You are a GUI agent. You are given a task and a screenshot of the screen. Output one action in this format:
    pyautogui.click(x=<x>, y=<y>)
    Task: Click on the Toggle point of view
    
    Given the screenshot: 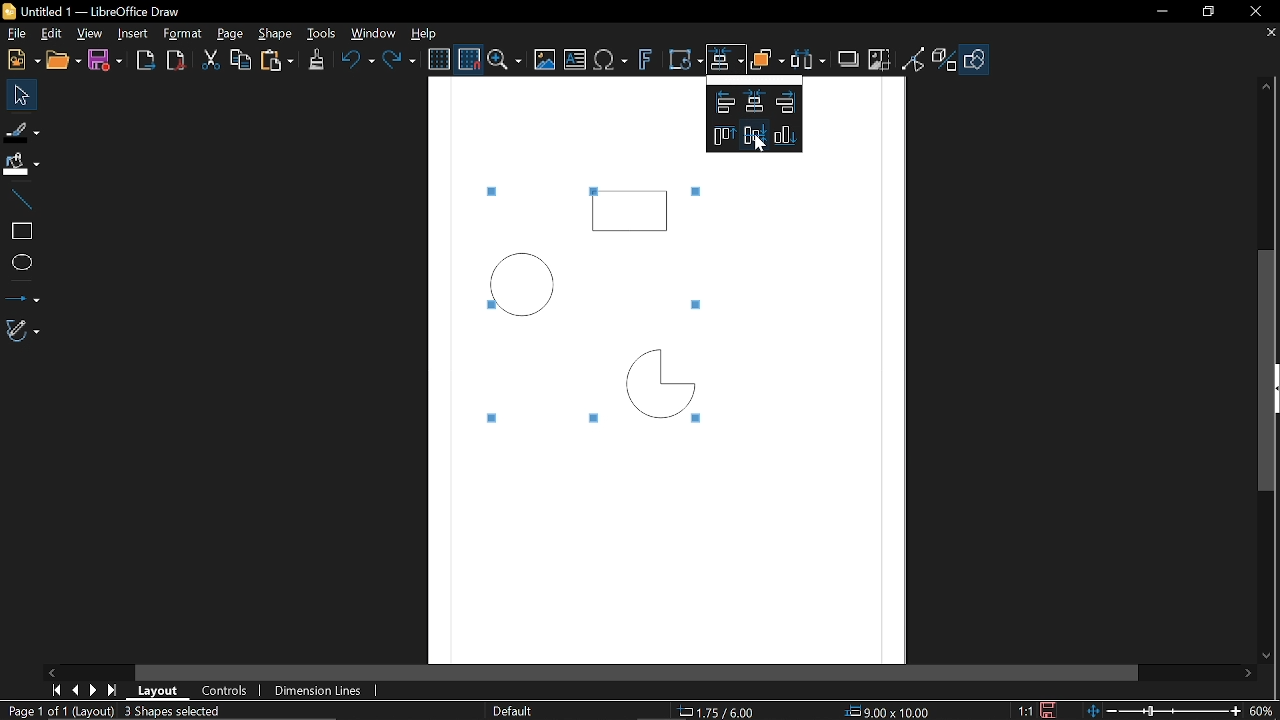 What is the action you would take?
    pyautogui.click(x=913, y=59)
    